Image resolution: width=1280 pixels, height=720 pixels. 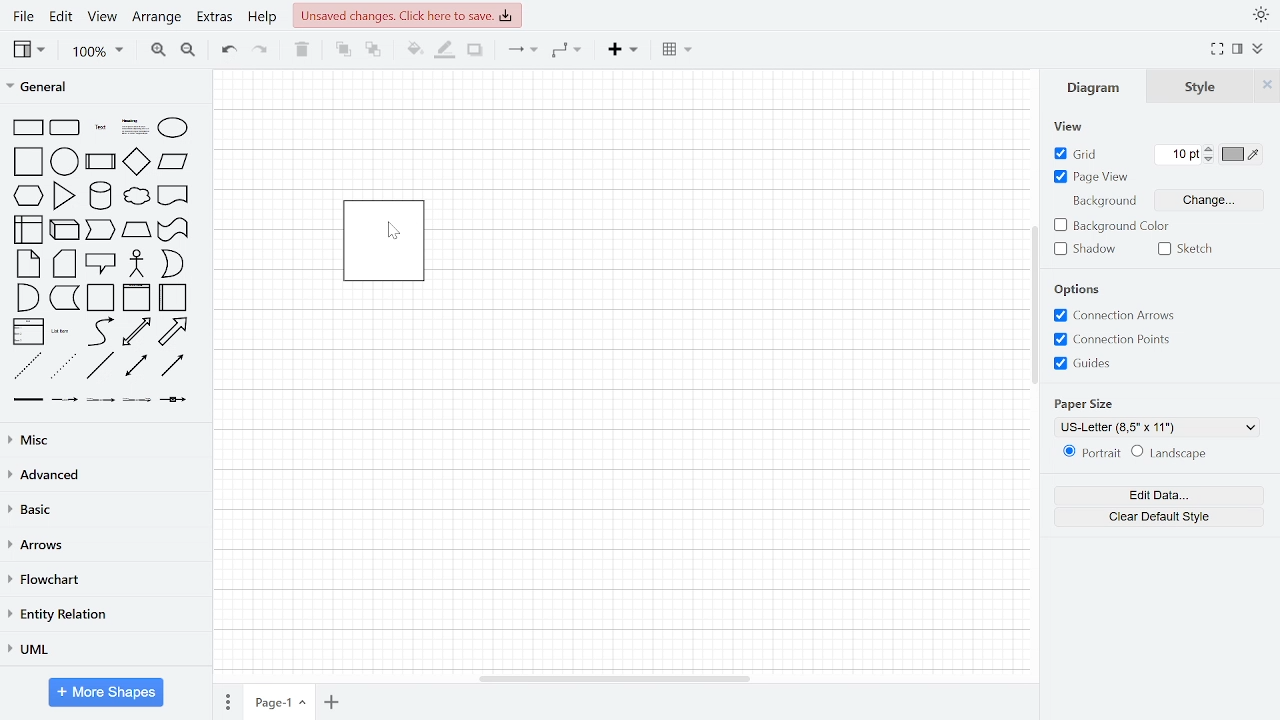 What do you see at coordinates (1203, 200) in the screenshot?
I see `change background` at bounding box center [1203, 200].